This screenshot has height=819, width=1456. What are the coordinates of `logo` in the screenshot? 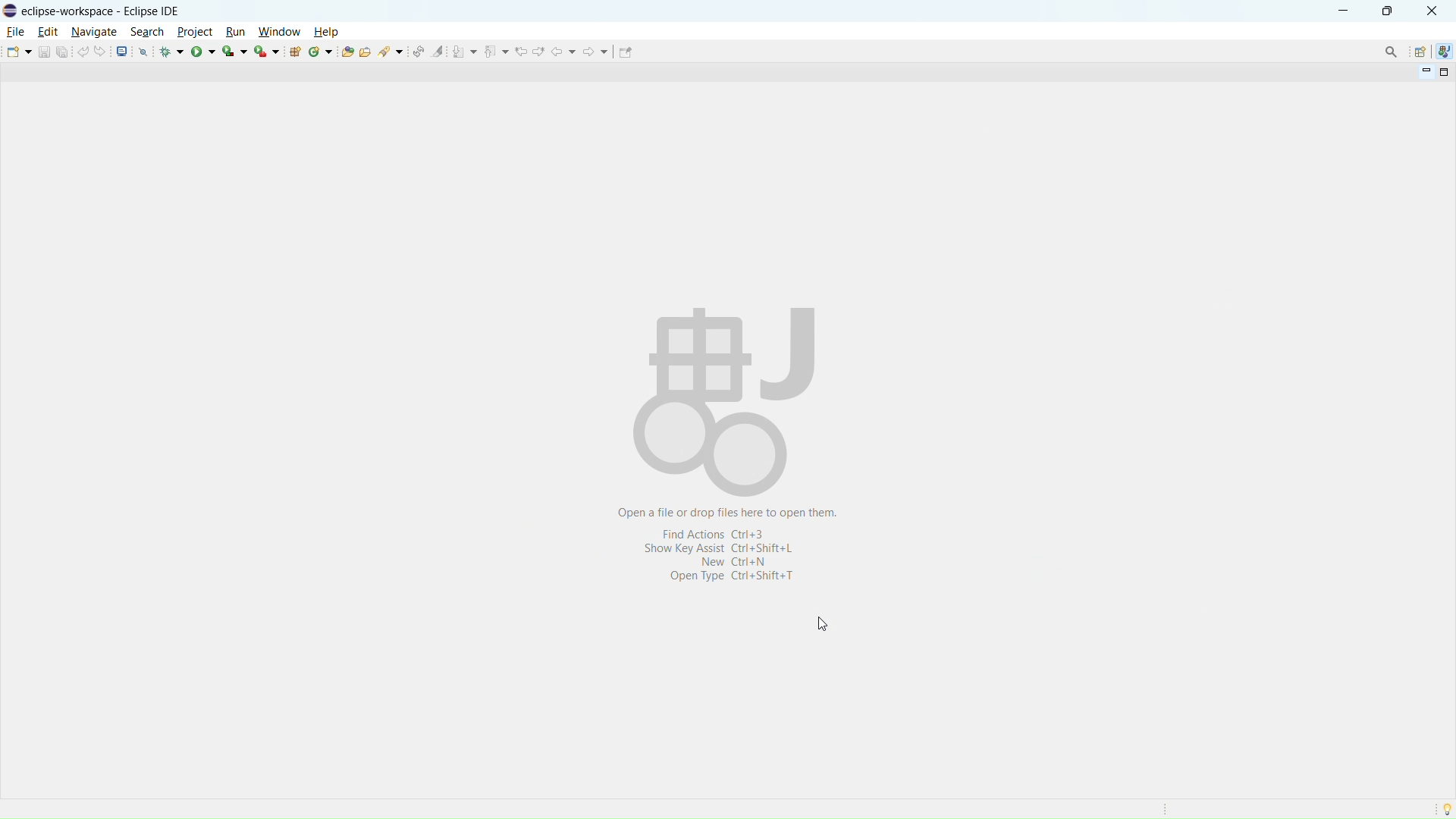 It's located at (10, 11).